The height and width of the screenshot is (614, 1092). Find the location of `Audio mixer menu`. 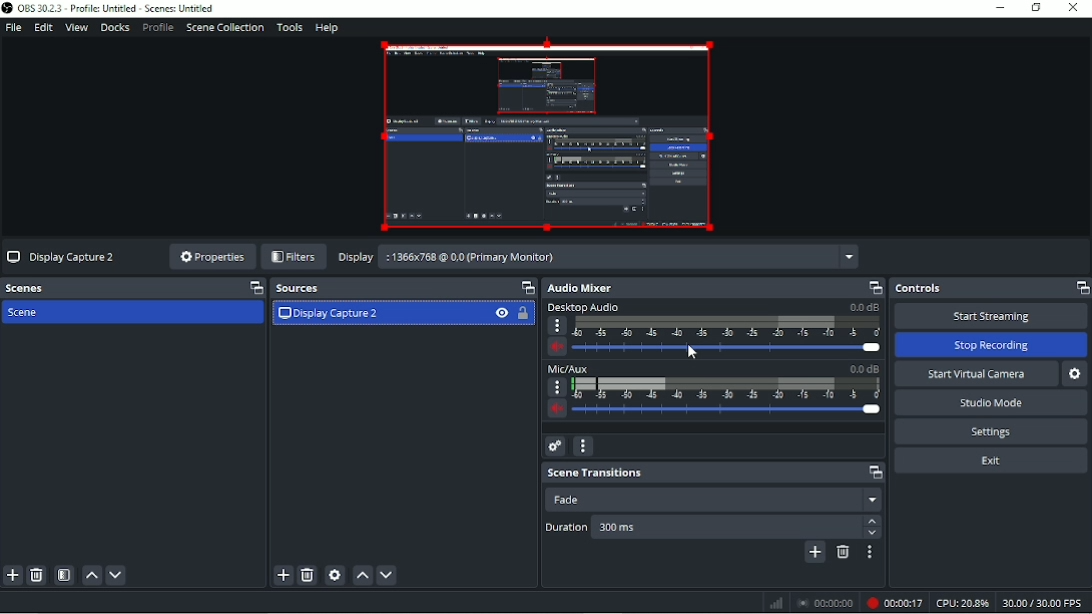

Audio mixer menu is located at coordinates (583, 446).